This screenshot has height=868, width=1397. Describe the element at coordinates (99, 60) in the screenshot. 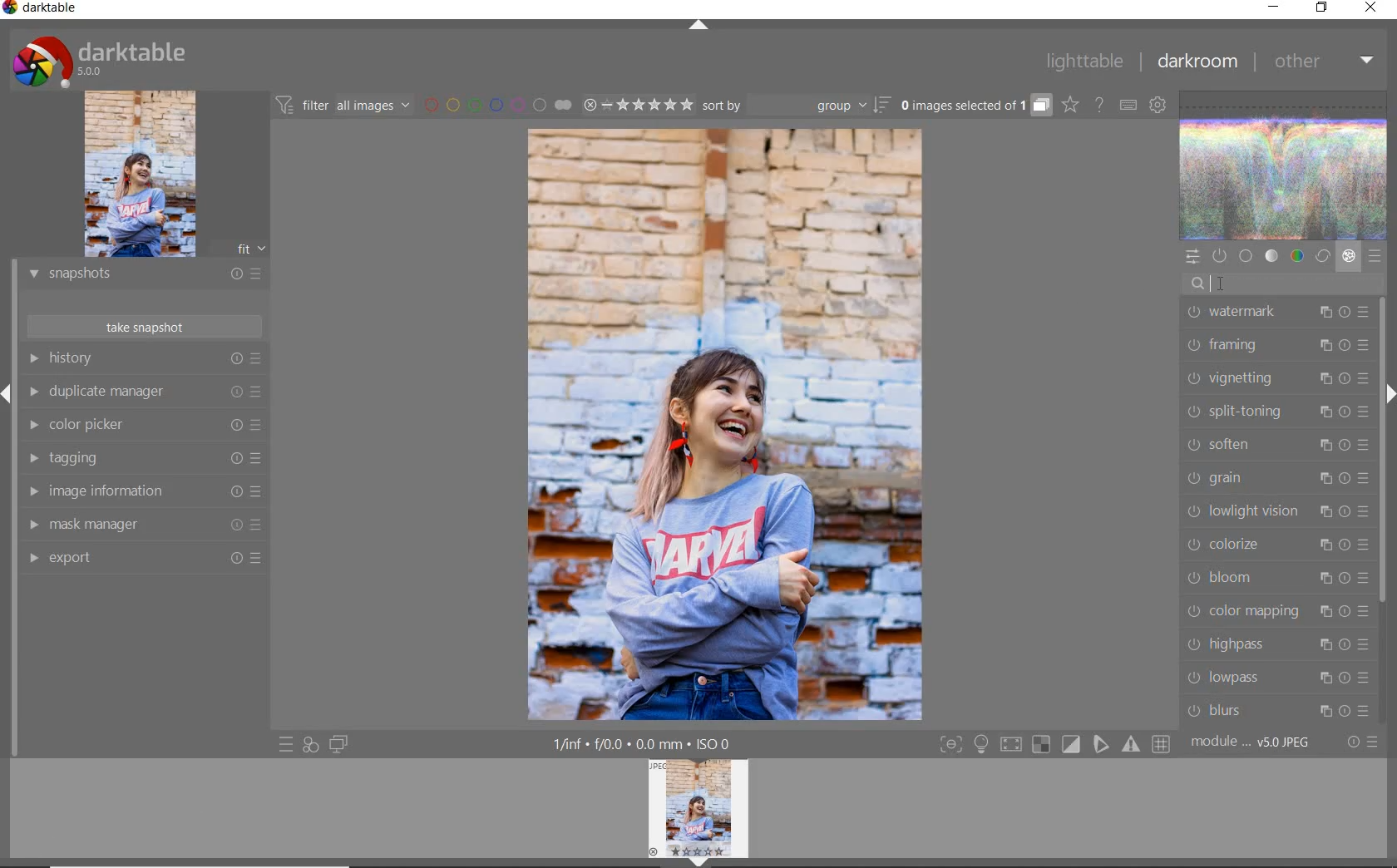

I see `system logo` at that location.